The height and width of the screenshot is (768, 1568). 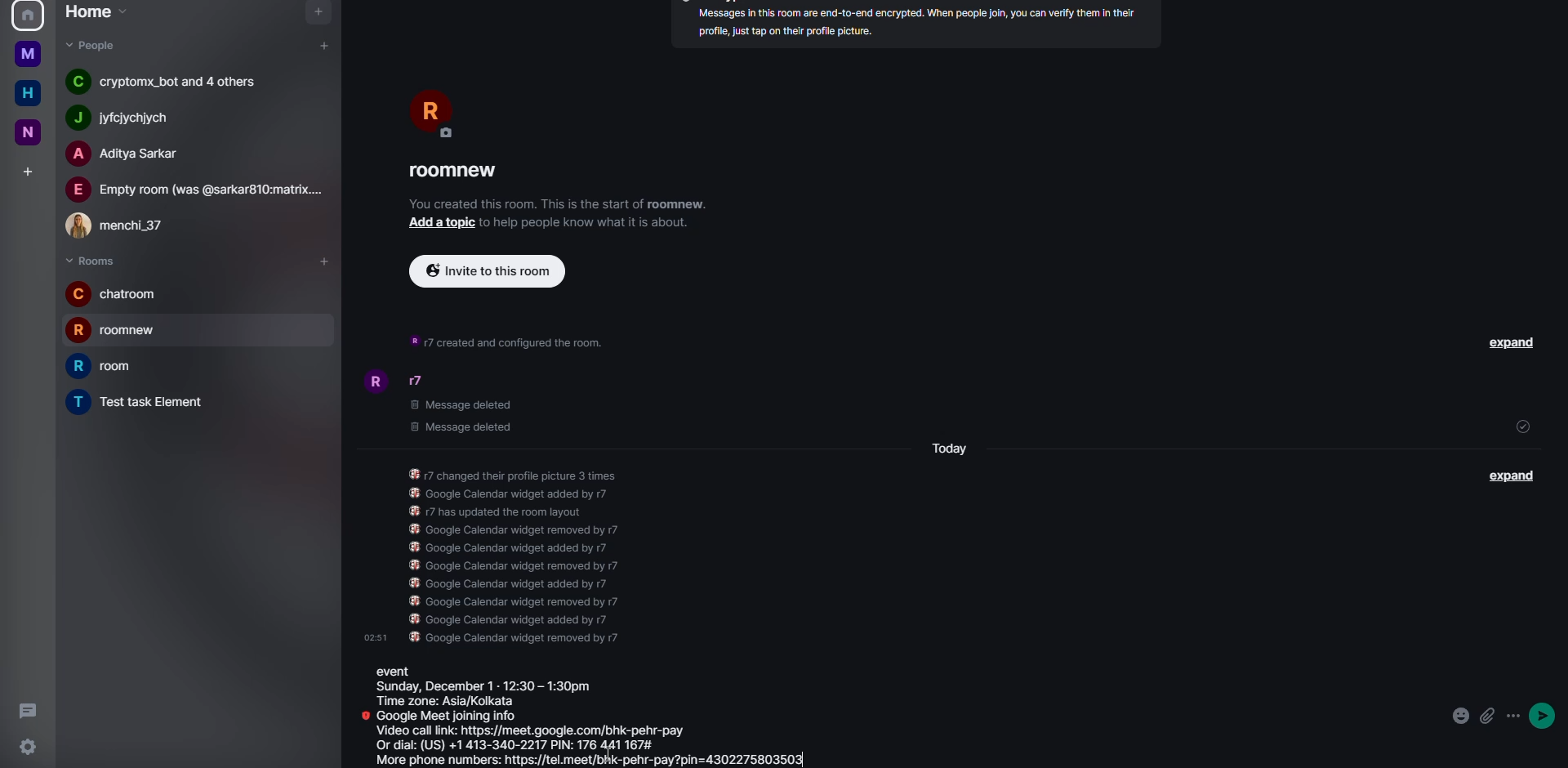 What do you see at coordinates (417, 381) in the screenshot?
I see `people` at bounding box center [417, 381].